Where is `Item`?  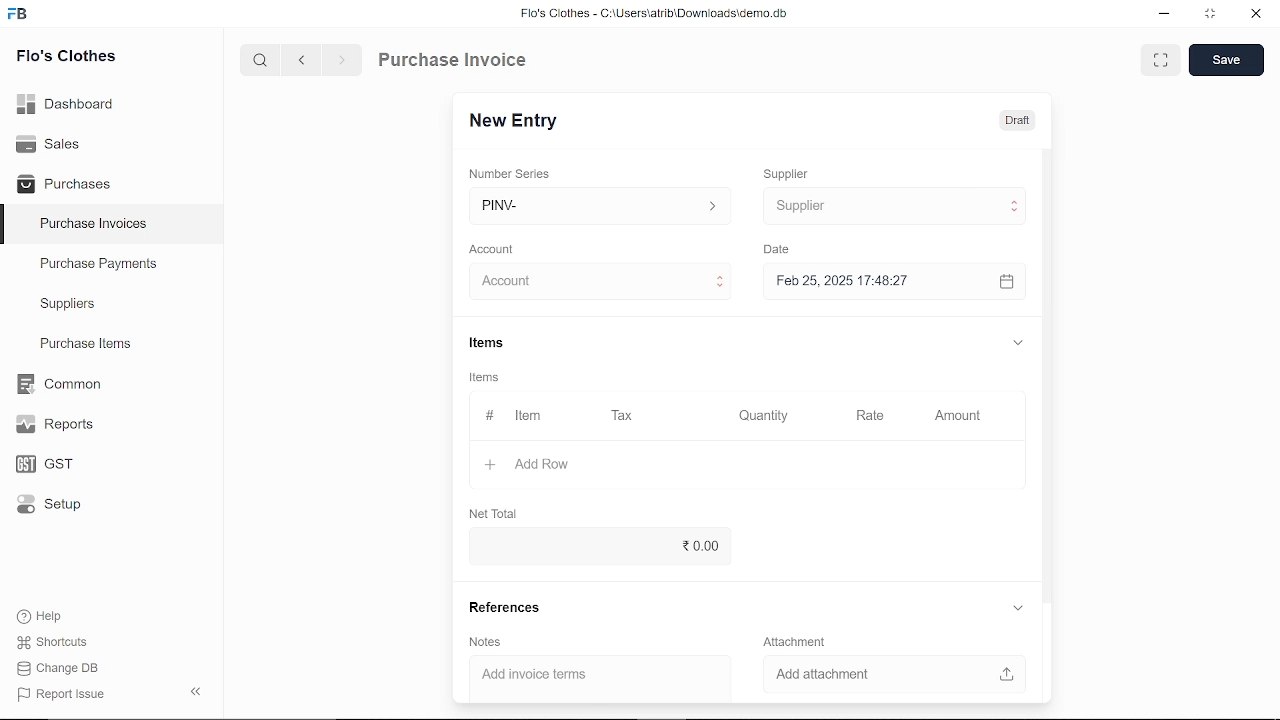 Item is located at coordinates (514, 416).